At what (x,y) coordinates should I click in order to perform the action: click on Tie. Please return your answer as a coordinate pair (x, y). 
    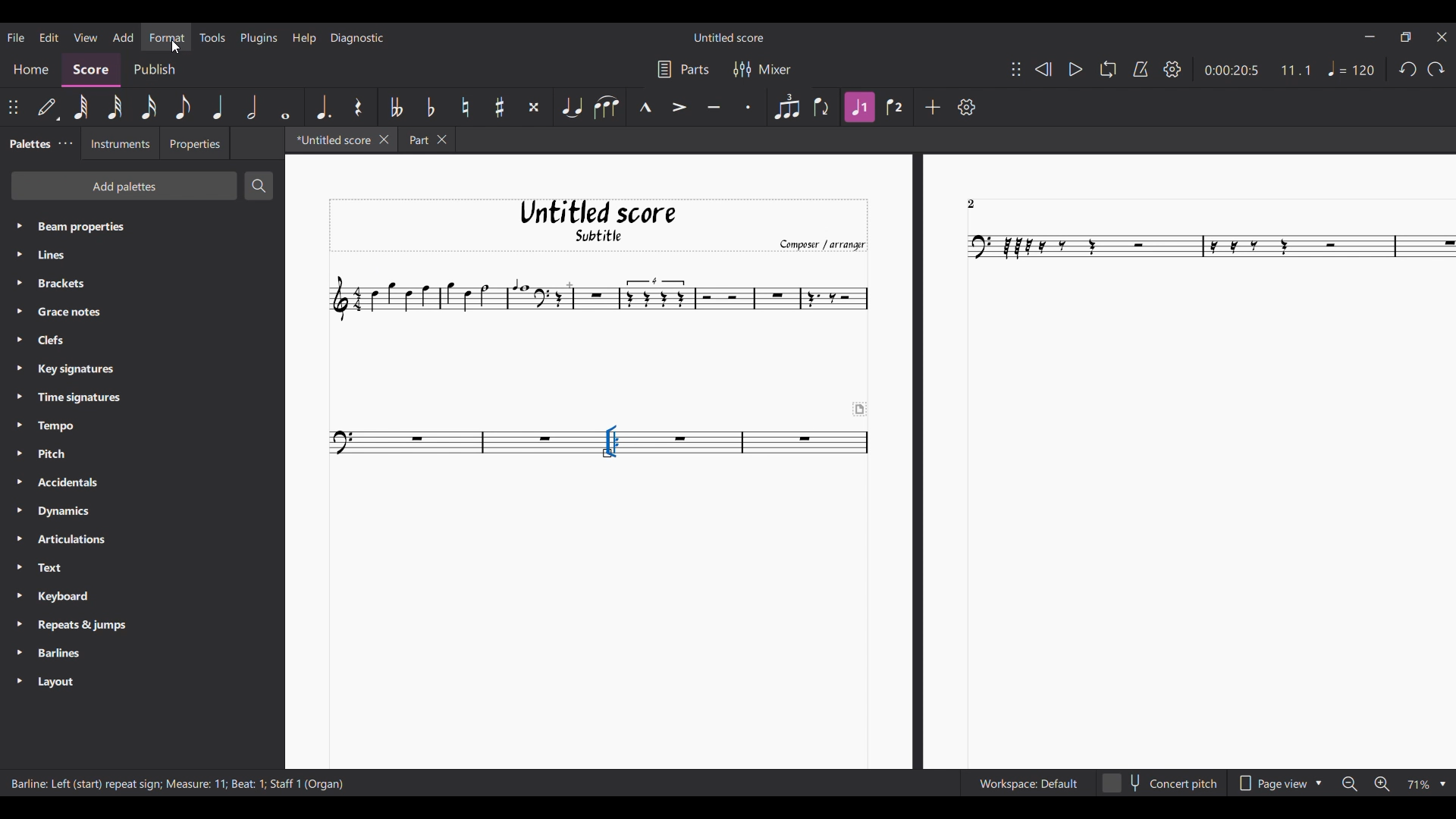
    Looking at the image, I should click on (571, 106).